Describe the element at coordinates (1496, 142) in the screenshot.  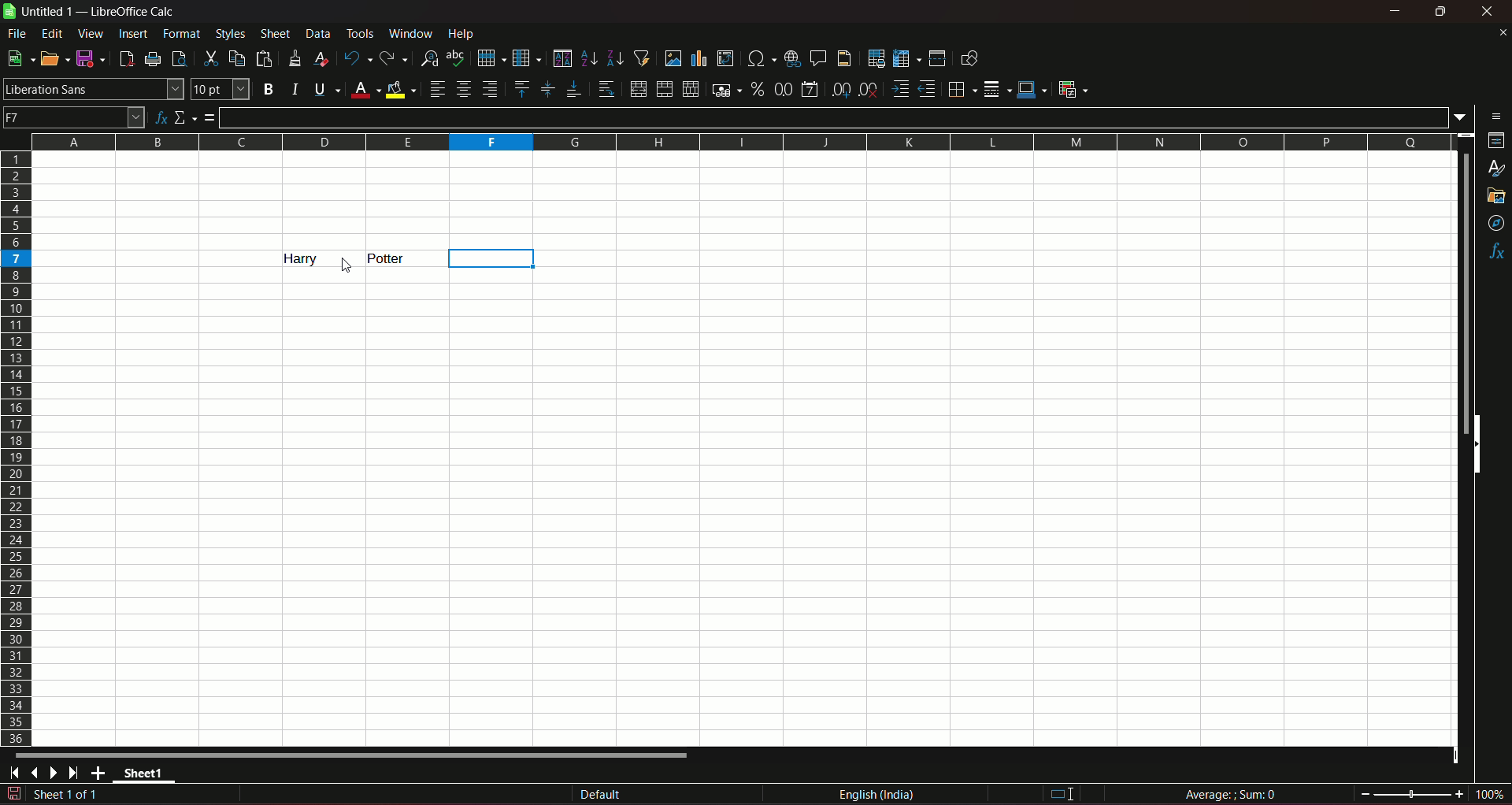
I see `properties` at that location.